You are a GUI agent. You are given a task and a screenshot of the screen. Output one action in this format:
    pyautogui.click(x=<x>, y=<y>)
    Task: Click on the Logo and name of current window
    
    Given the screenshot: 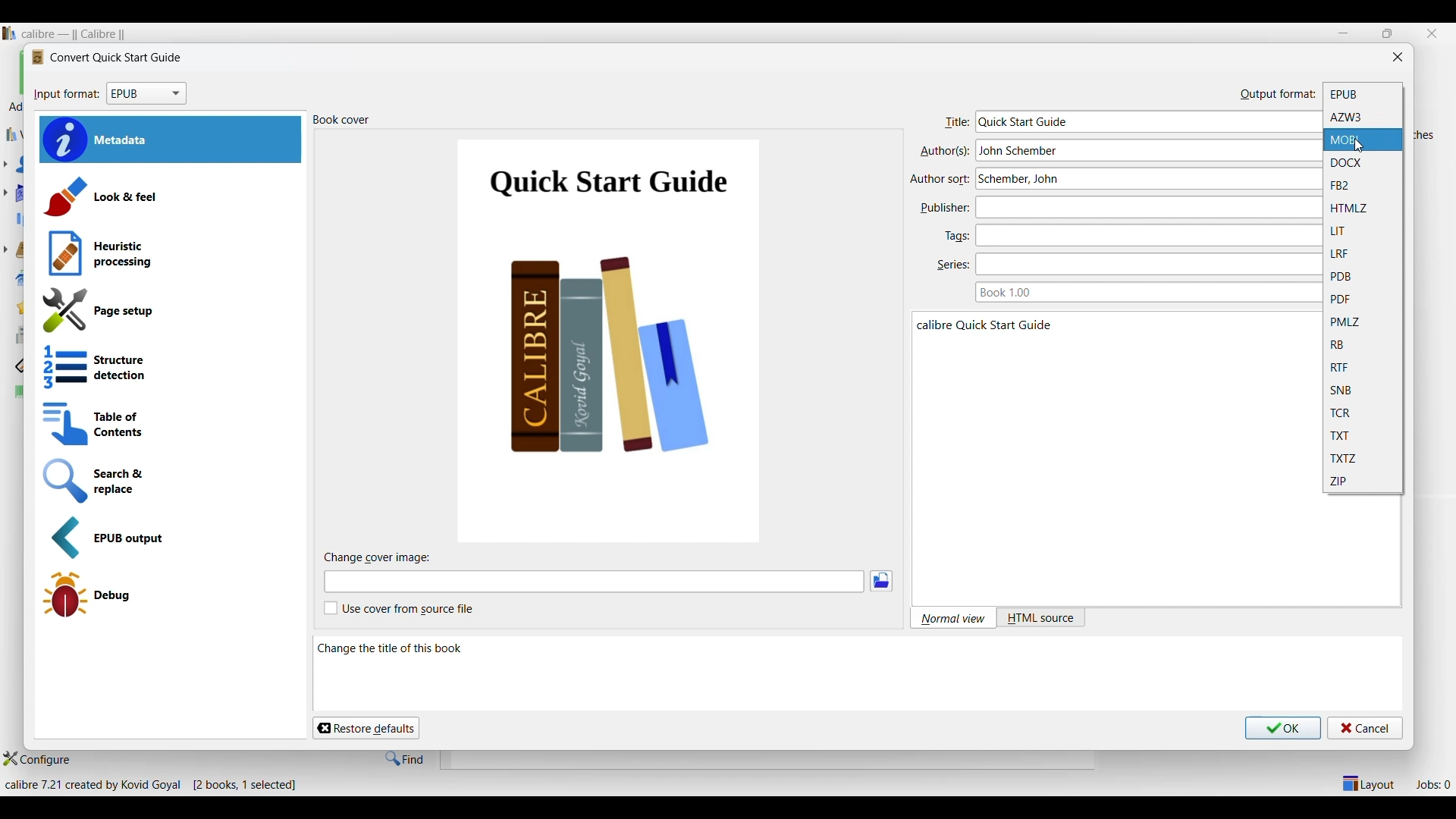 What is the action you would take?
    pyautogui.click(x=106, y=58)
    